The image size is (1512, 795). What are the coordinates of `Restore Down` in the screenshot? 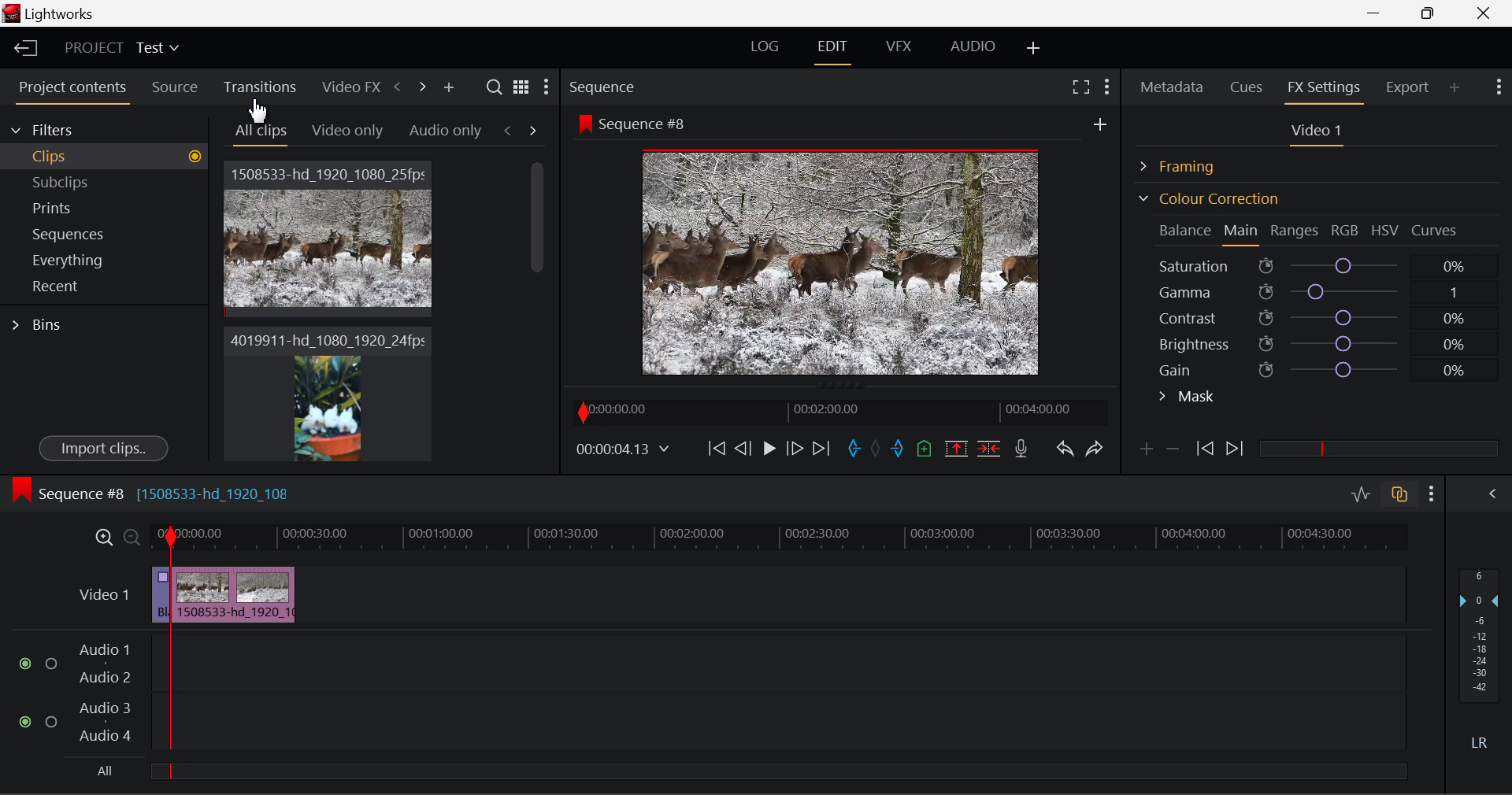 It's located at (1379, 13).